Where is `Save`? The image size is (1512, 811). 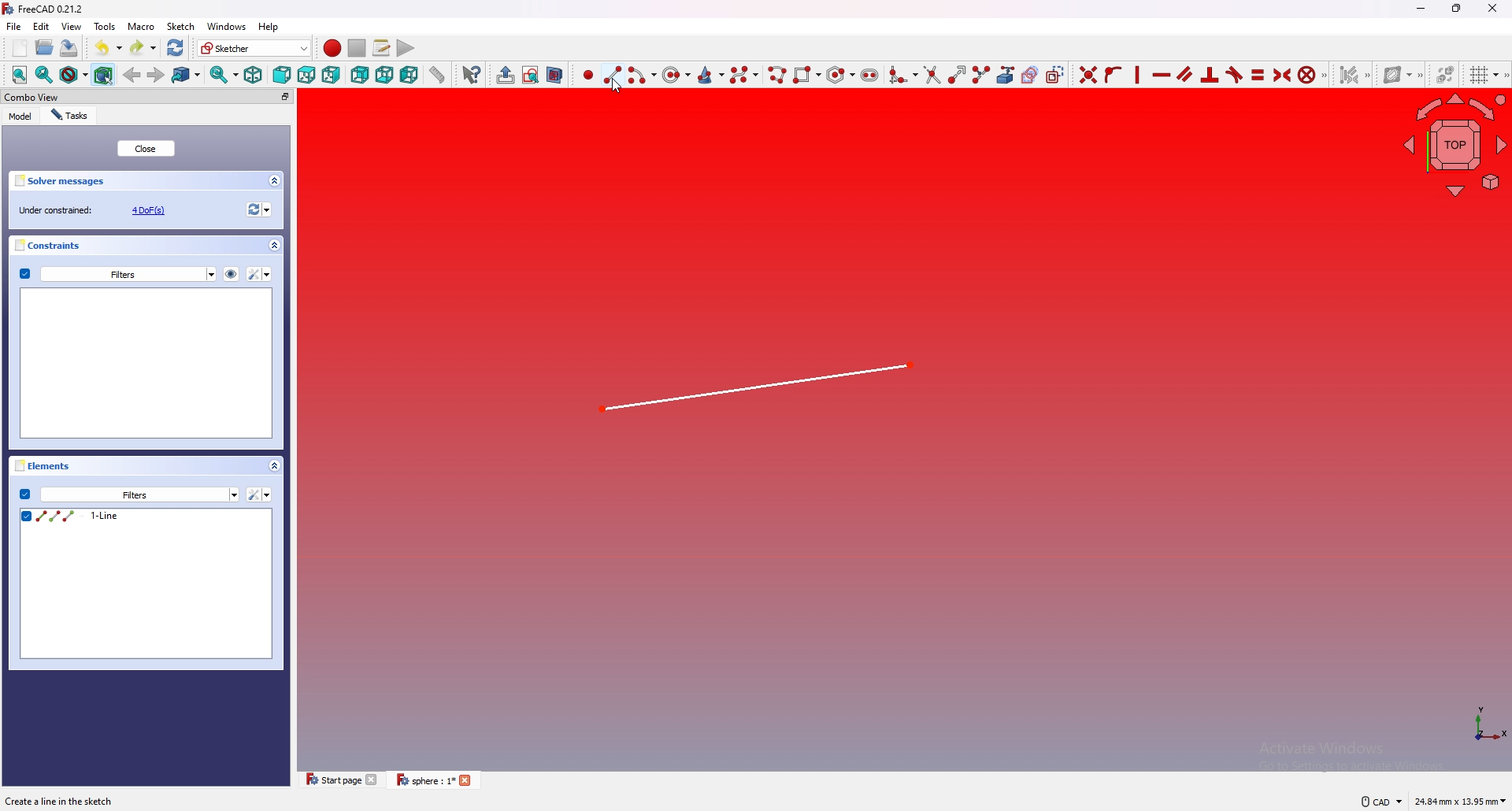 Save is located at coordinates (69, 48).